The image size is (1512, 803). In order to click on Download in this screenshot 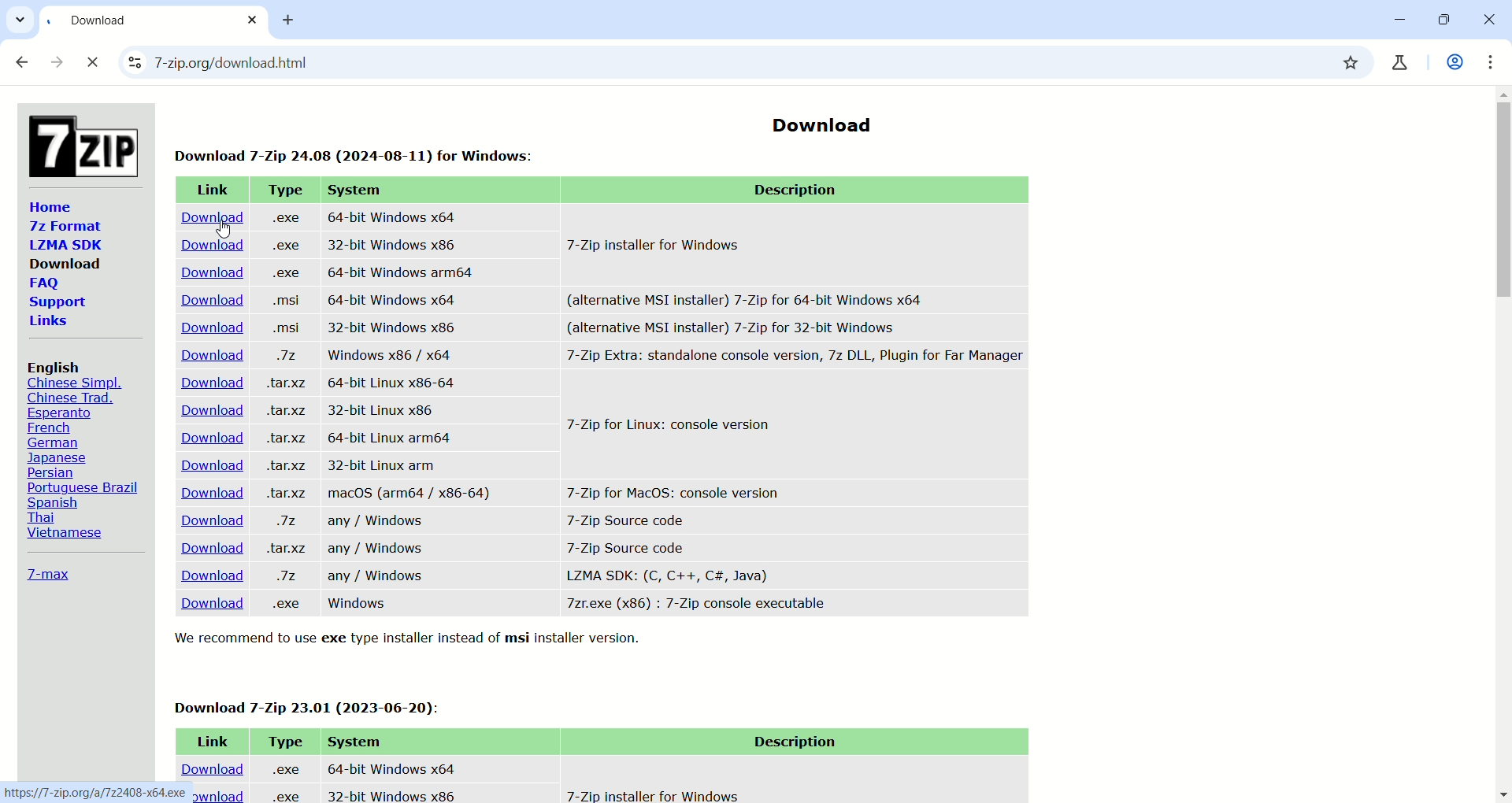, I will do `click(209, 301)`.